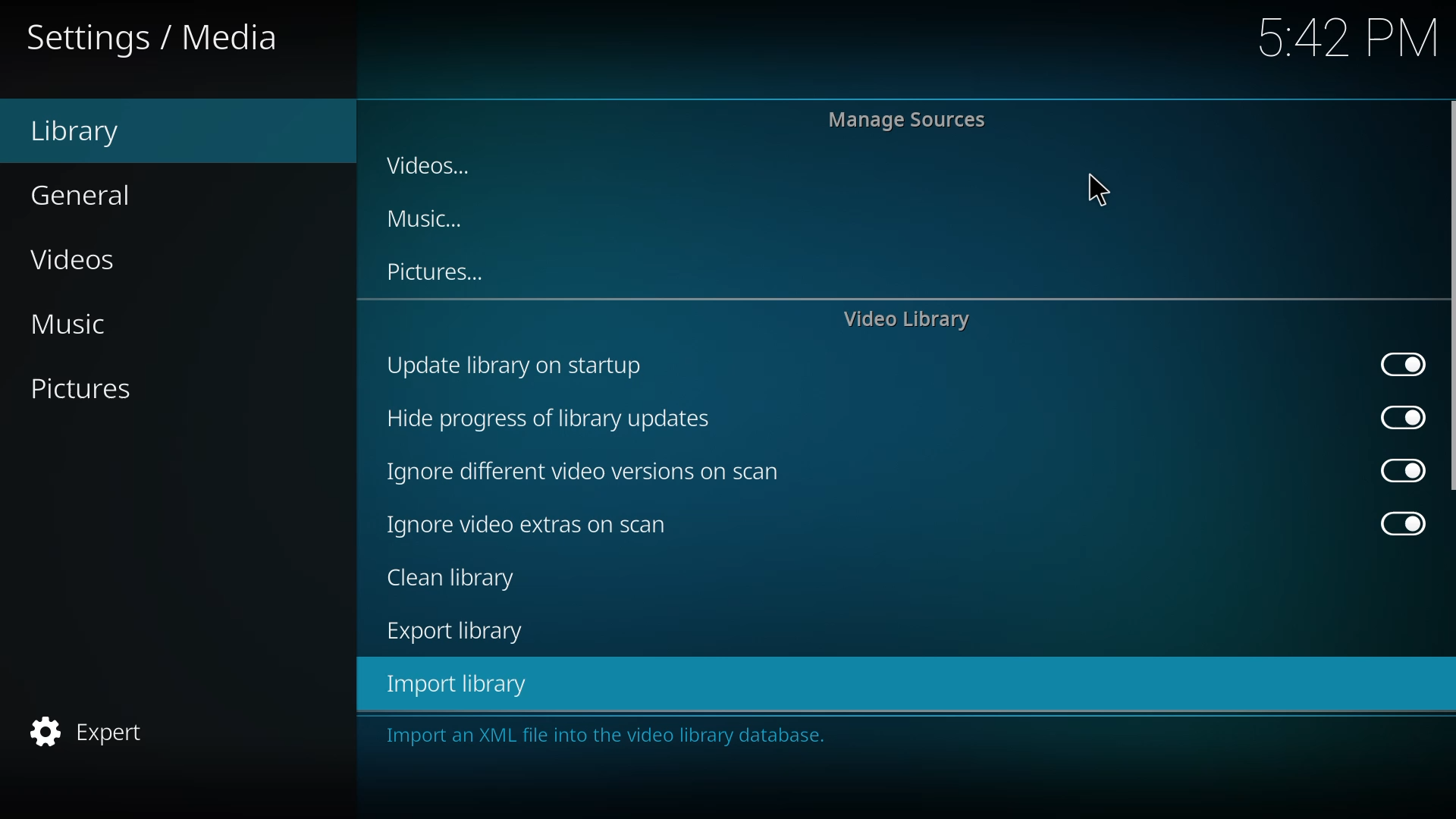 The image size is (1456, 819). I want to click on manage, so click(912, 119).